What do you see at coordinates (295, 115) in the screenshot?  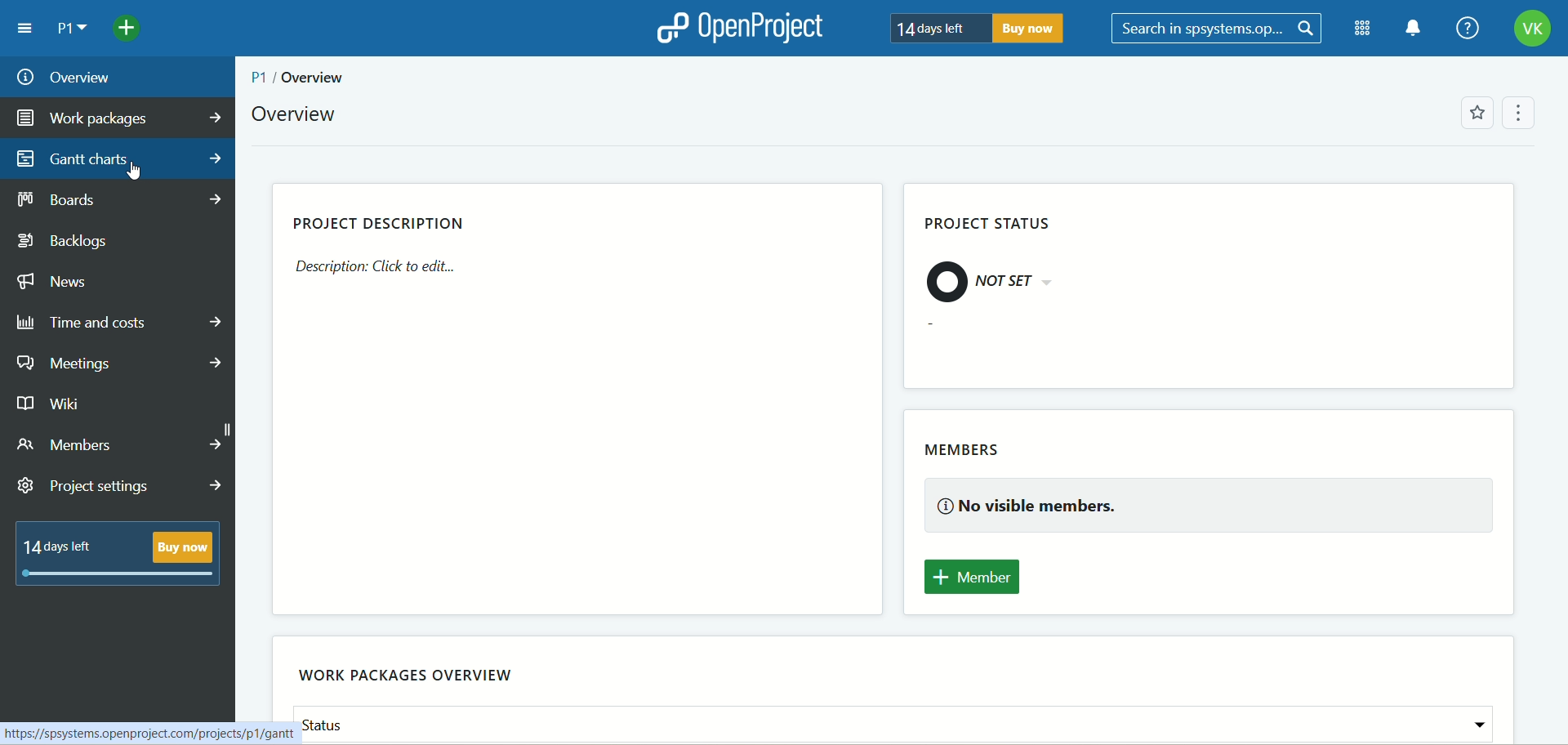 I see `overview` at bounding box center [295, 115].